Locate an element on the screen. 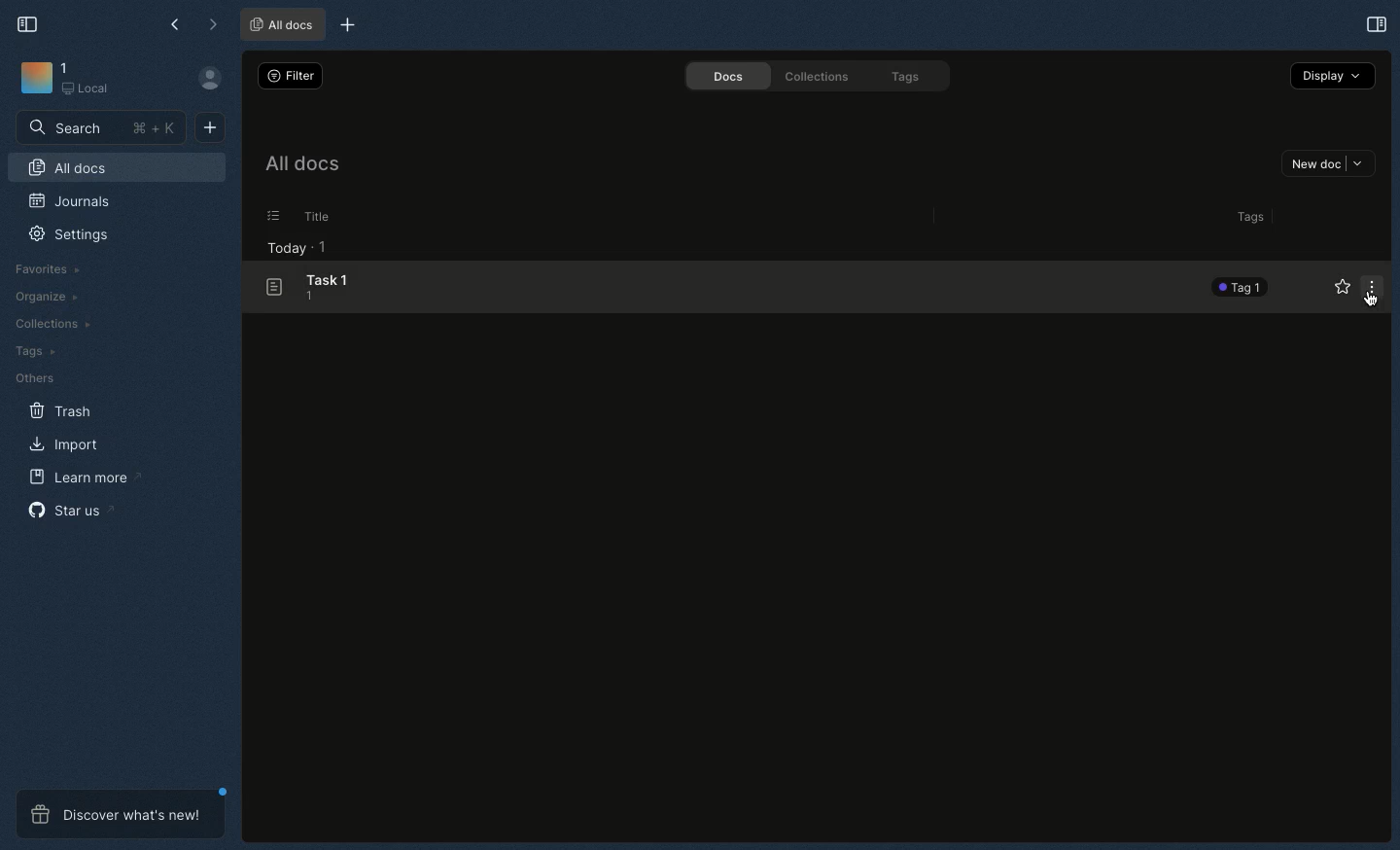  New doc is located at coordinates (1324, 164).